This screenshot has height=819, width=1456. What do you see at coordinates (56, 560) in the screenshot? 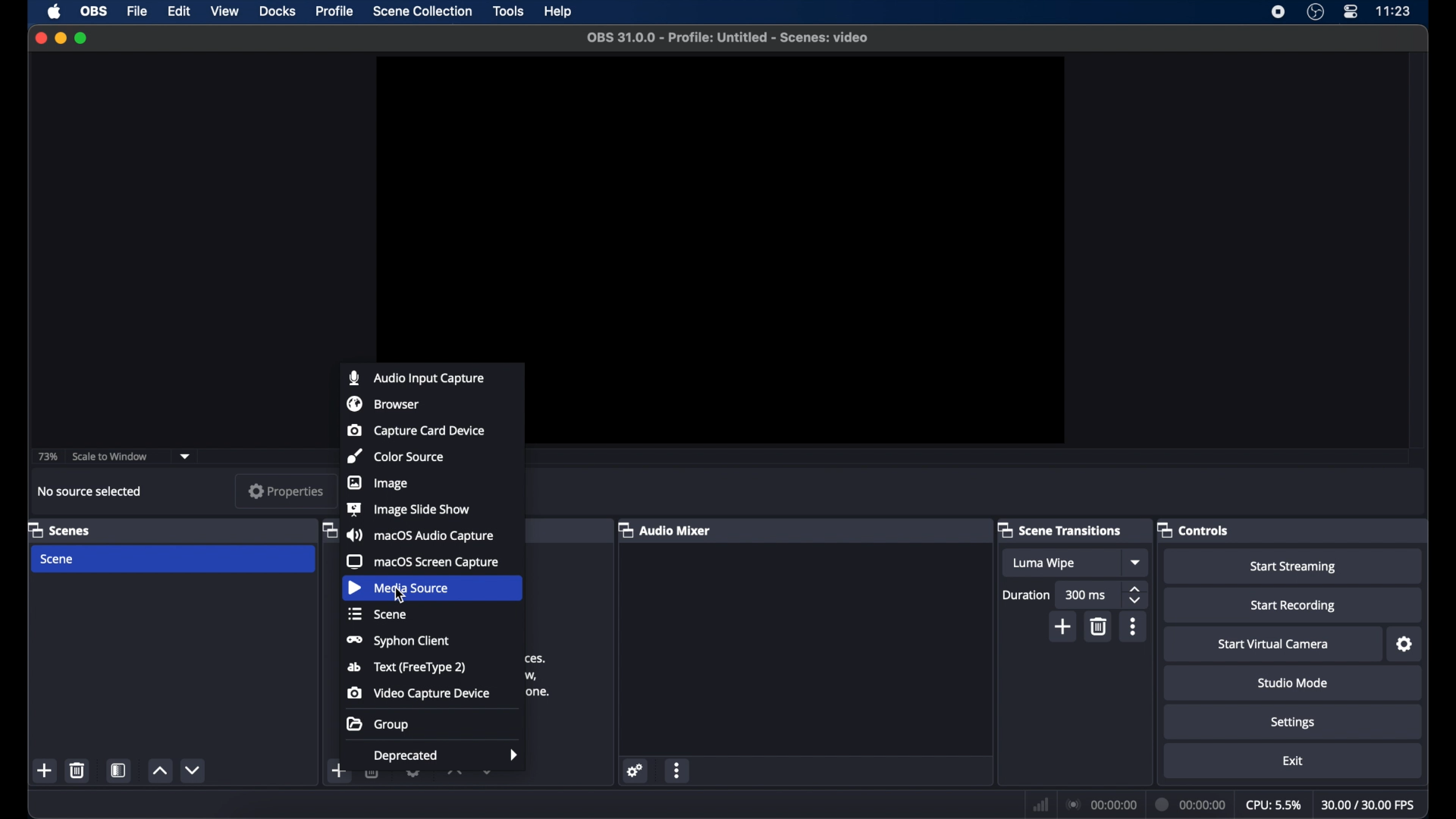
I see `scene` at bounding box center [56, 560].